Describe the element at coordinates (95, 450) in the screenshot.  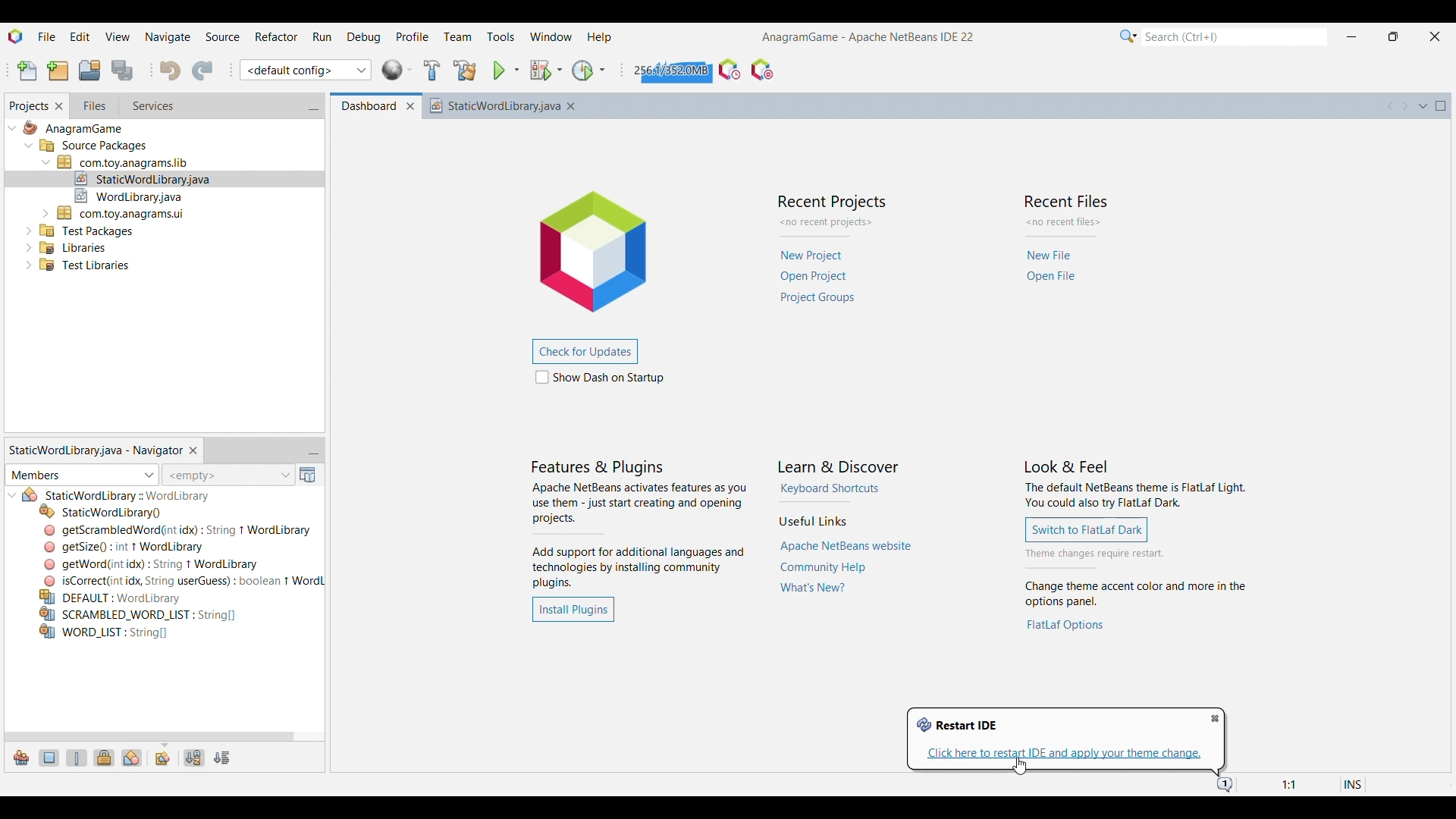
I see `Static world library tab` at that location.